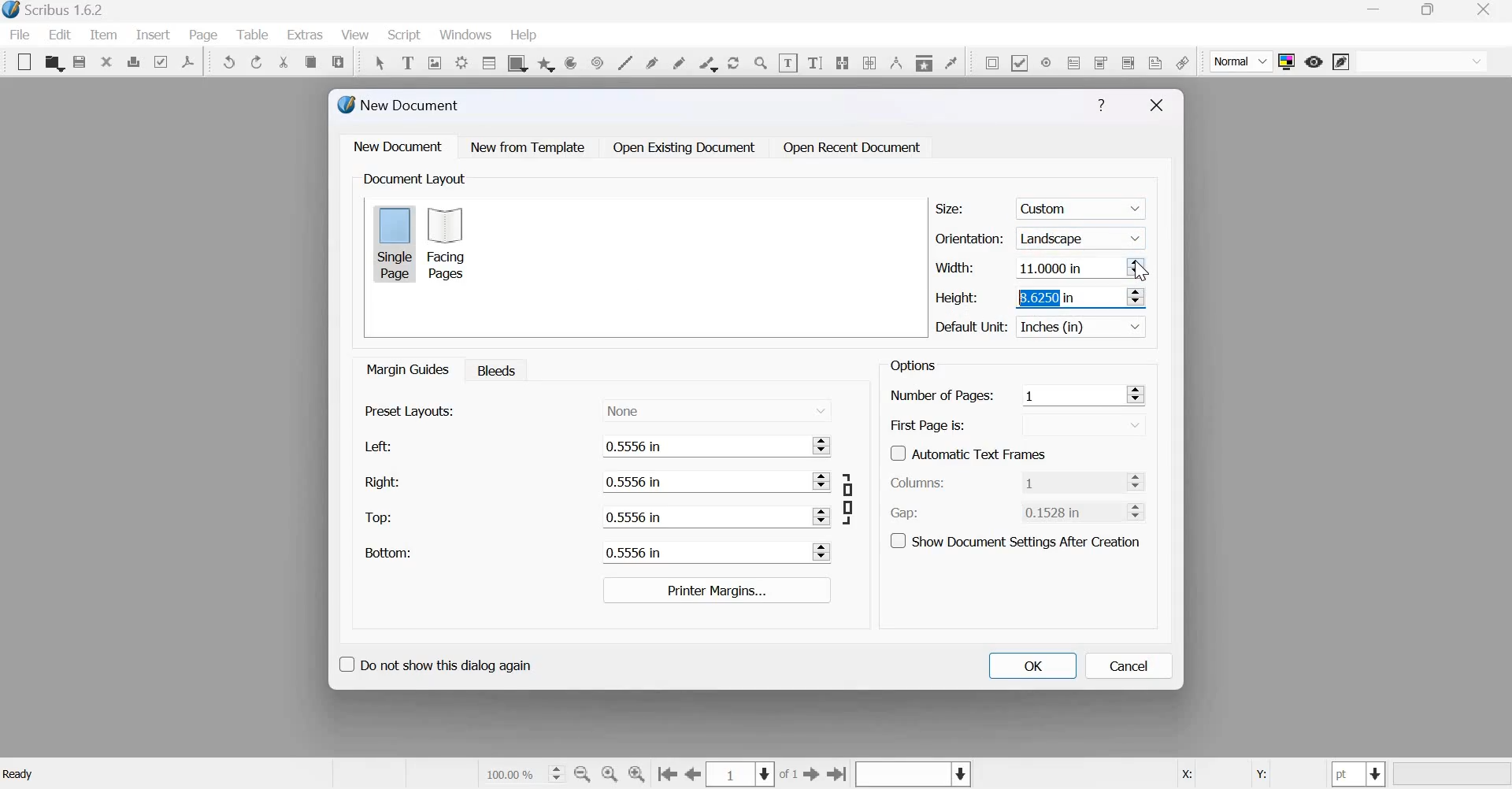  I want to click on zoom to 100 %, so click(610, 775).